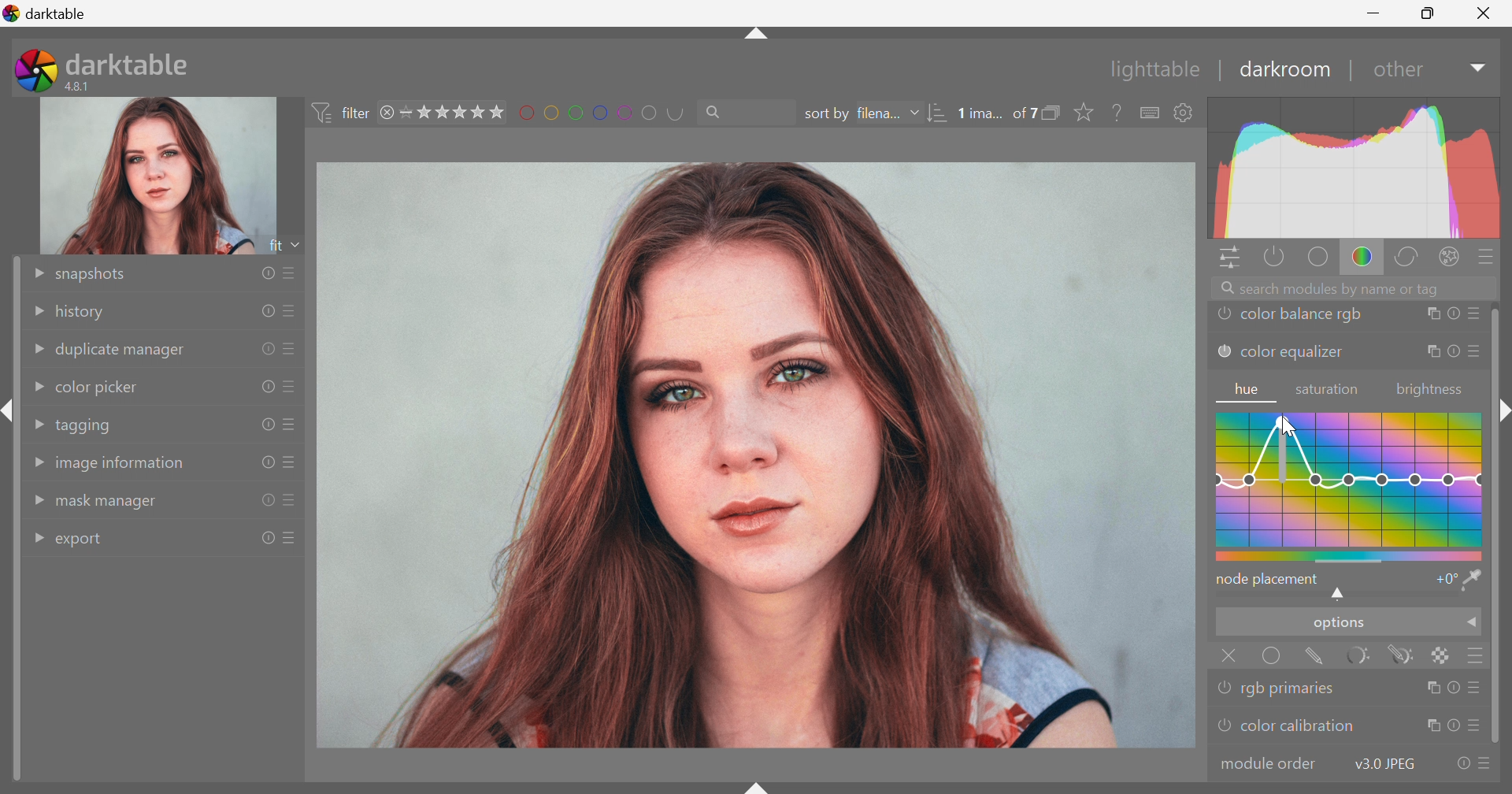  What do you see at coordinates (1184, 113) in the screenshot?
I see `show global preference` at bounding box center [1184, 113].